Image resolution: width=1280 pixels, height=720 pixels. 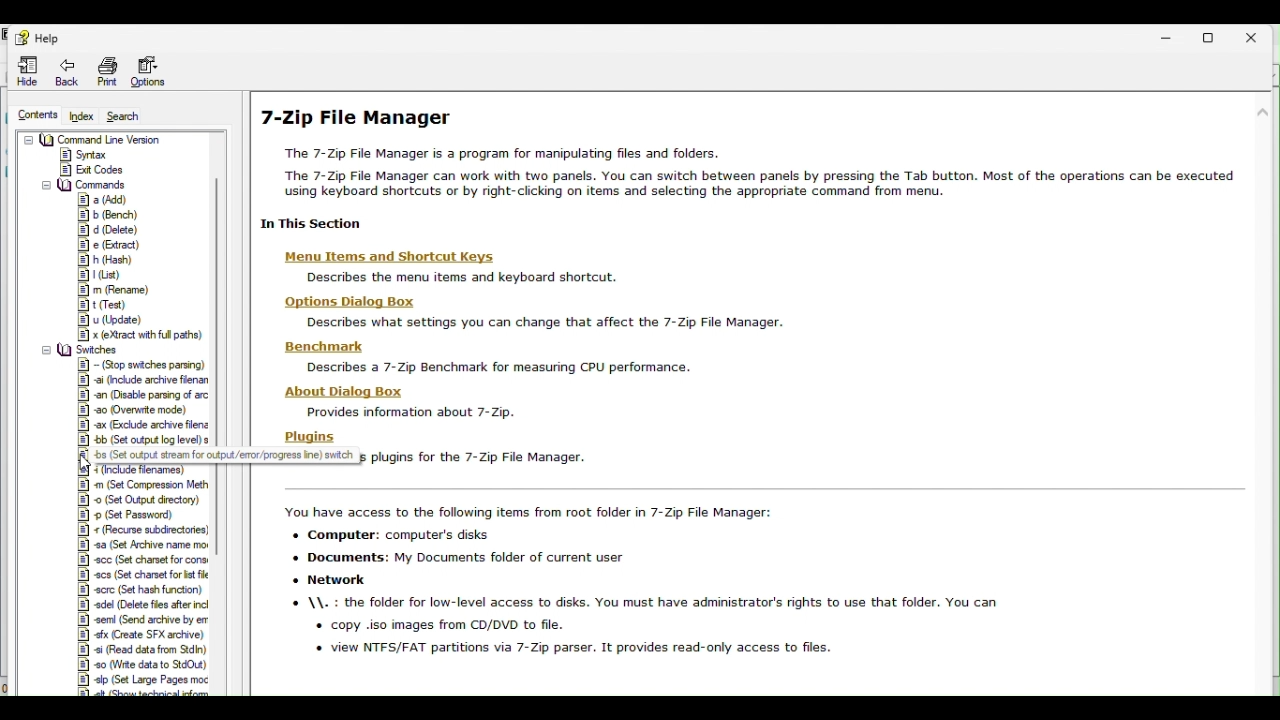 I want to click on 7-Zip File Manager
The 7-Zip File Manager is a program for manipulating files and folders.
The 7-Zip File Manager can work with two panels. You can switch between panels by pressing the Tab button. Most of the operations can be executed
using keyboard shortcuts or by right-cBicking on items and selecting the appropriate command from menu., so click(x=748, y=151).